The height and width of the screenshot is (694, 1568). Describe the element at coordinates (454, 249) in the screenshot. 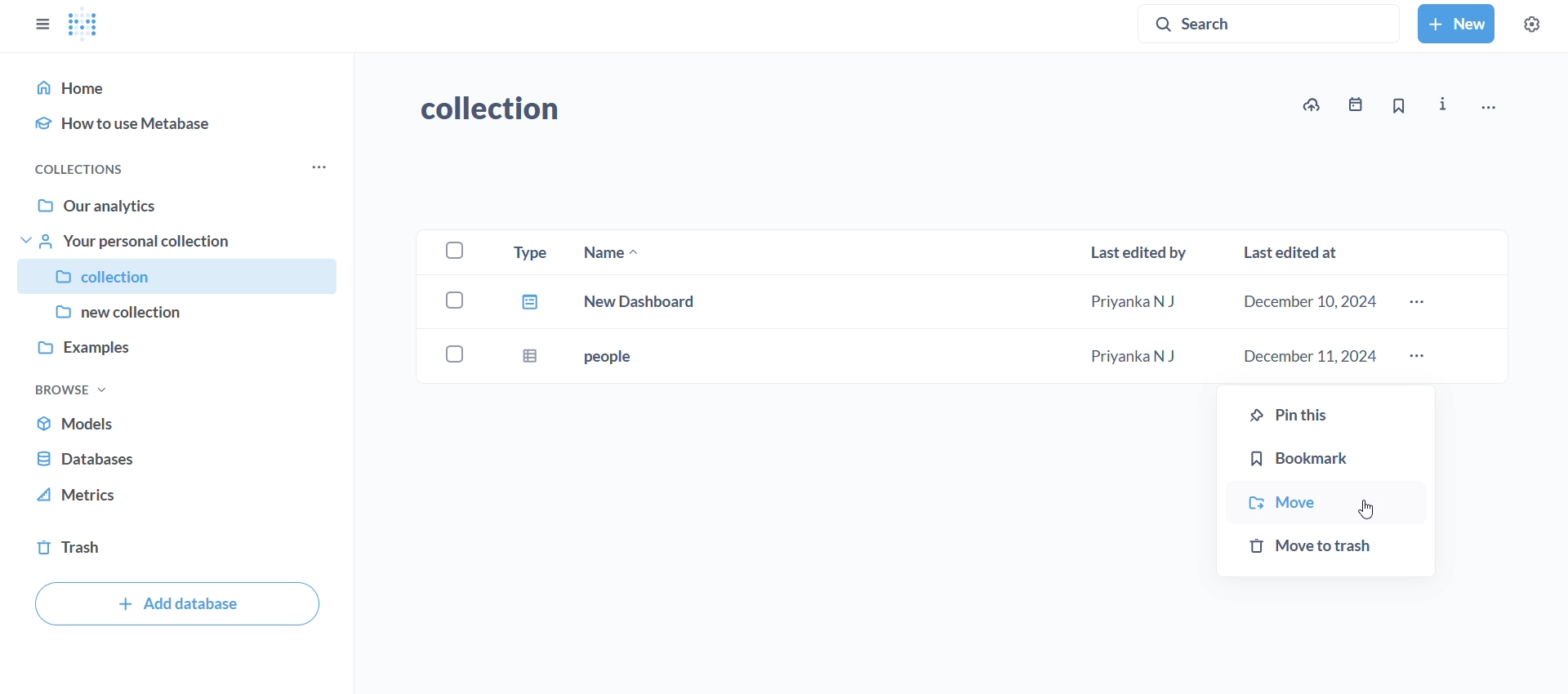

I see `checkboxes` at that location.